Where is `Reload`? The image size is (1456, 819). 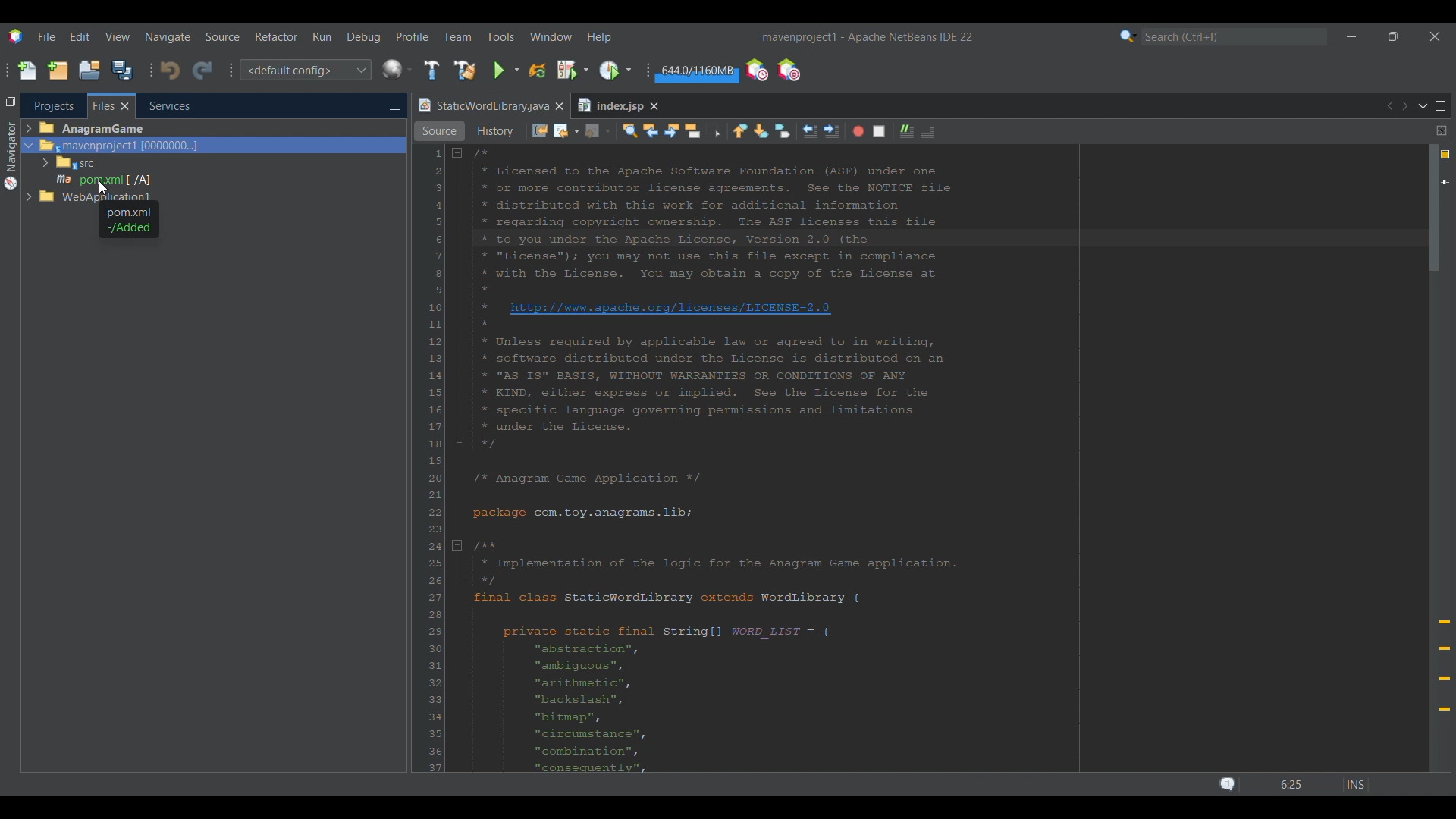 Reload is located at coordinates (538, 71).